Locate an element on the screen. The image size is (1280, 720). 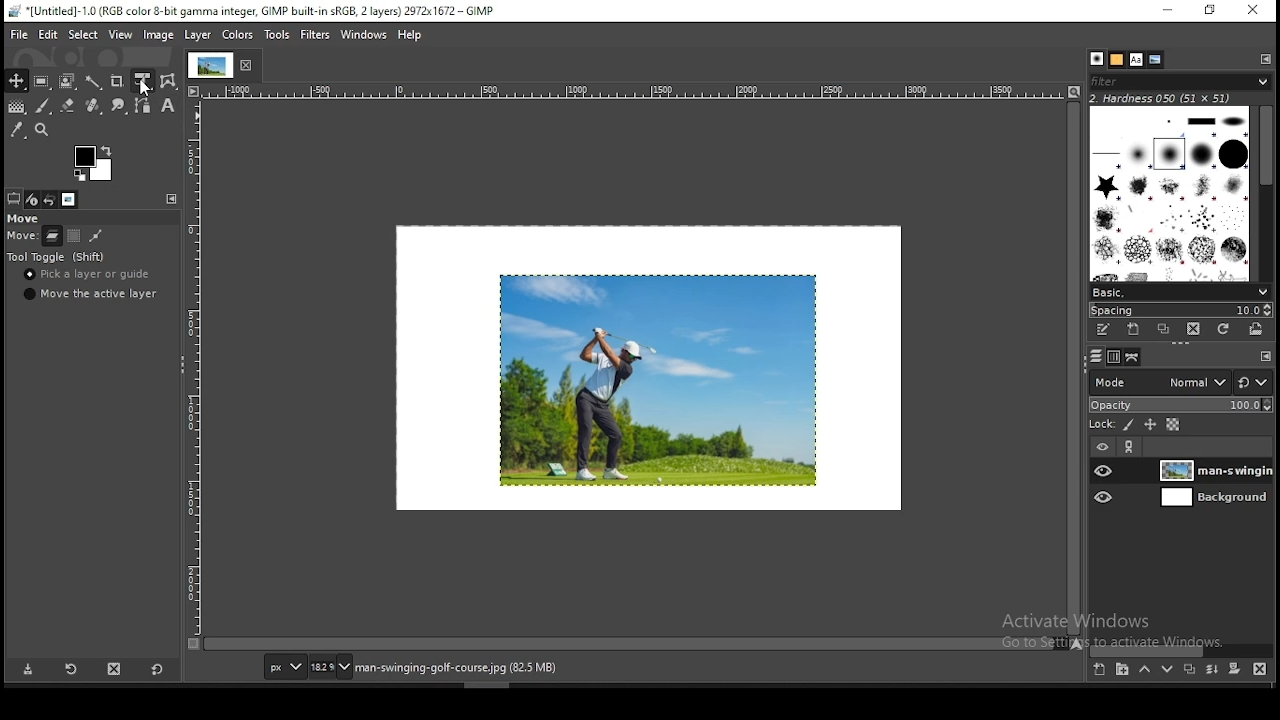
heal tool is located at coordinates (93, 108).